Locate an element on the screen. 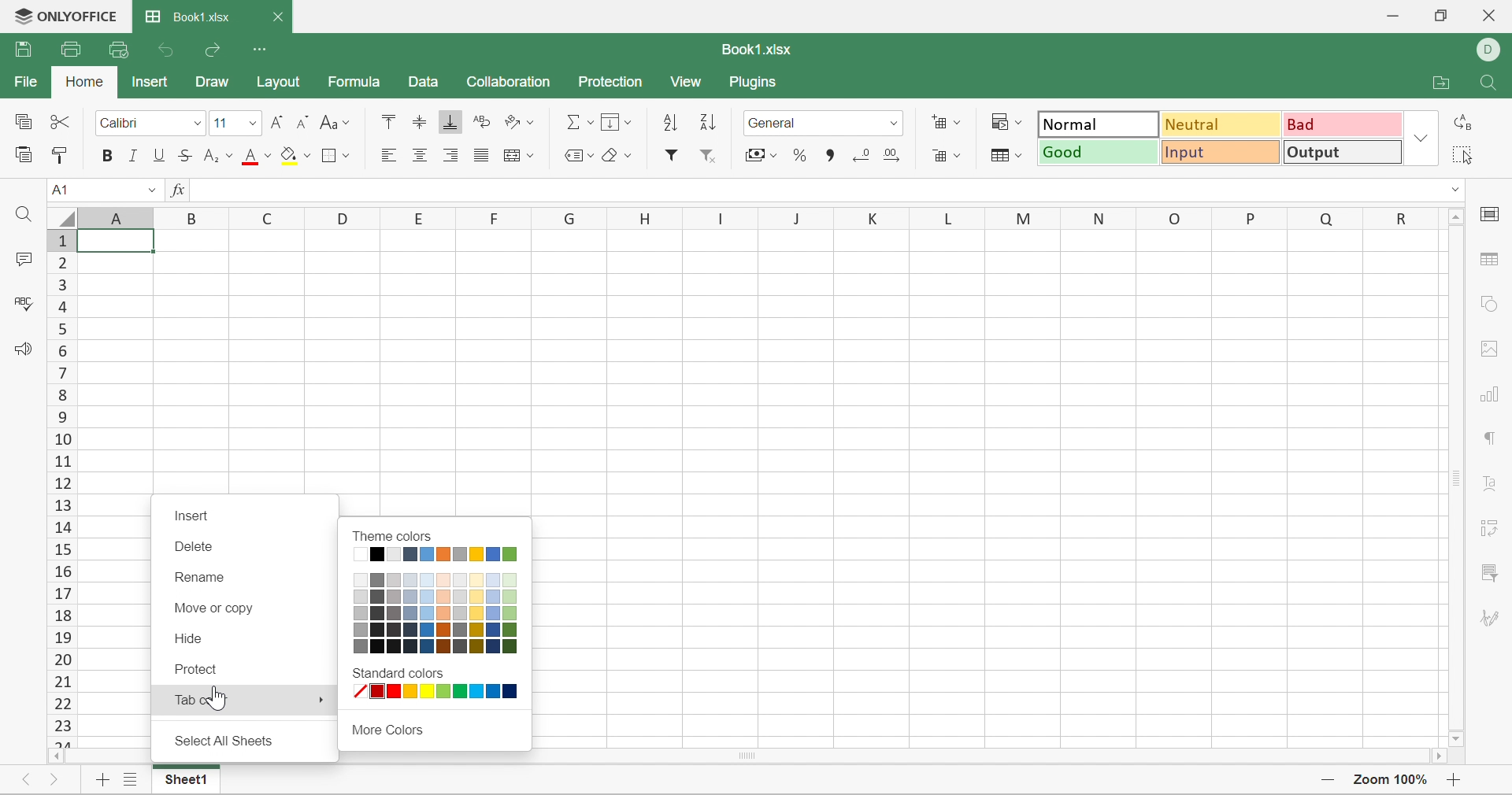  Print file is located at coordinates (70, 50).